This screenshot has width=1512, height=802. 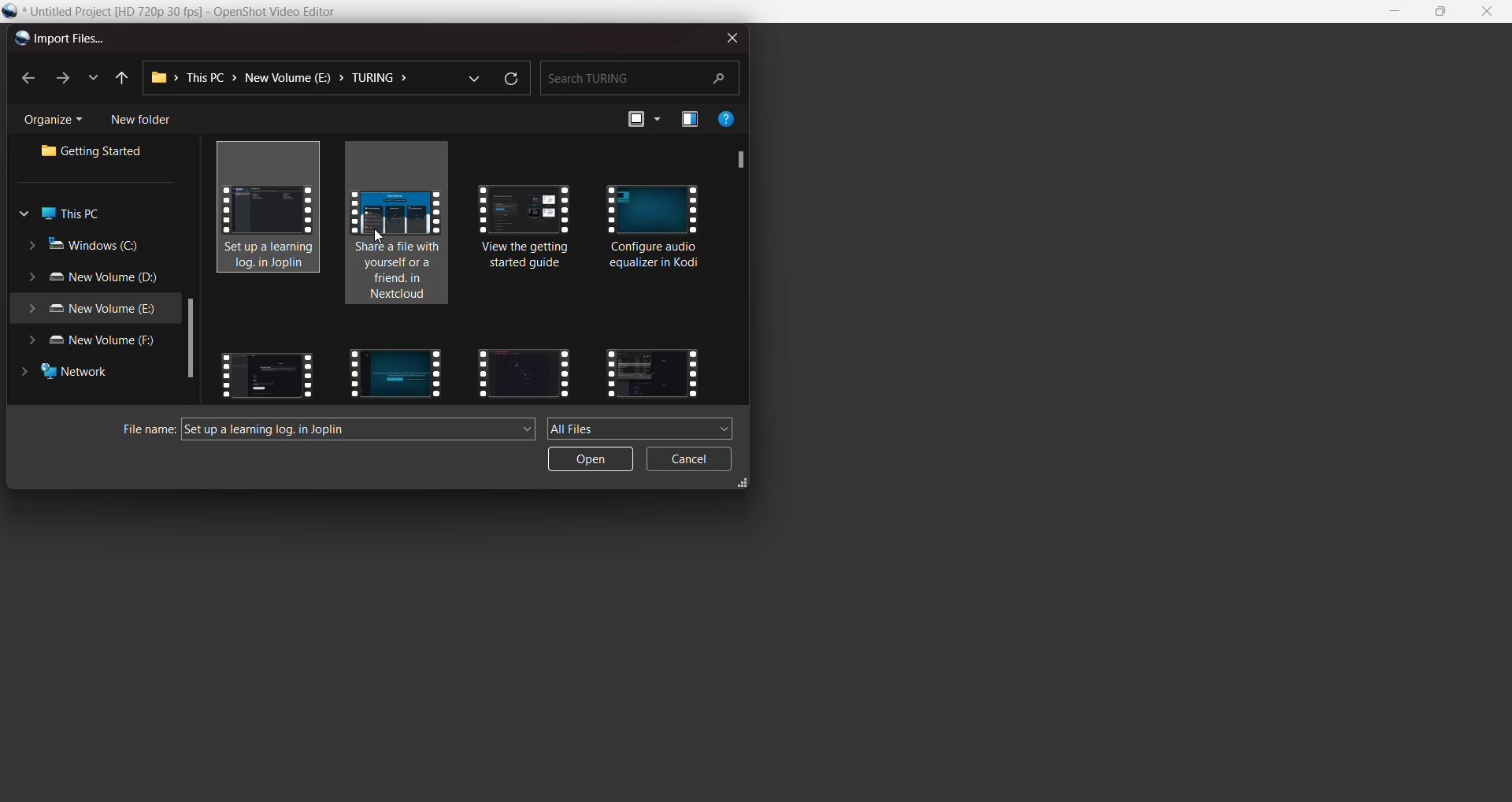 I want to click on videos, so click(x=524, y=370).